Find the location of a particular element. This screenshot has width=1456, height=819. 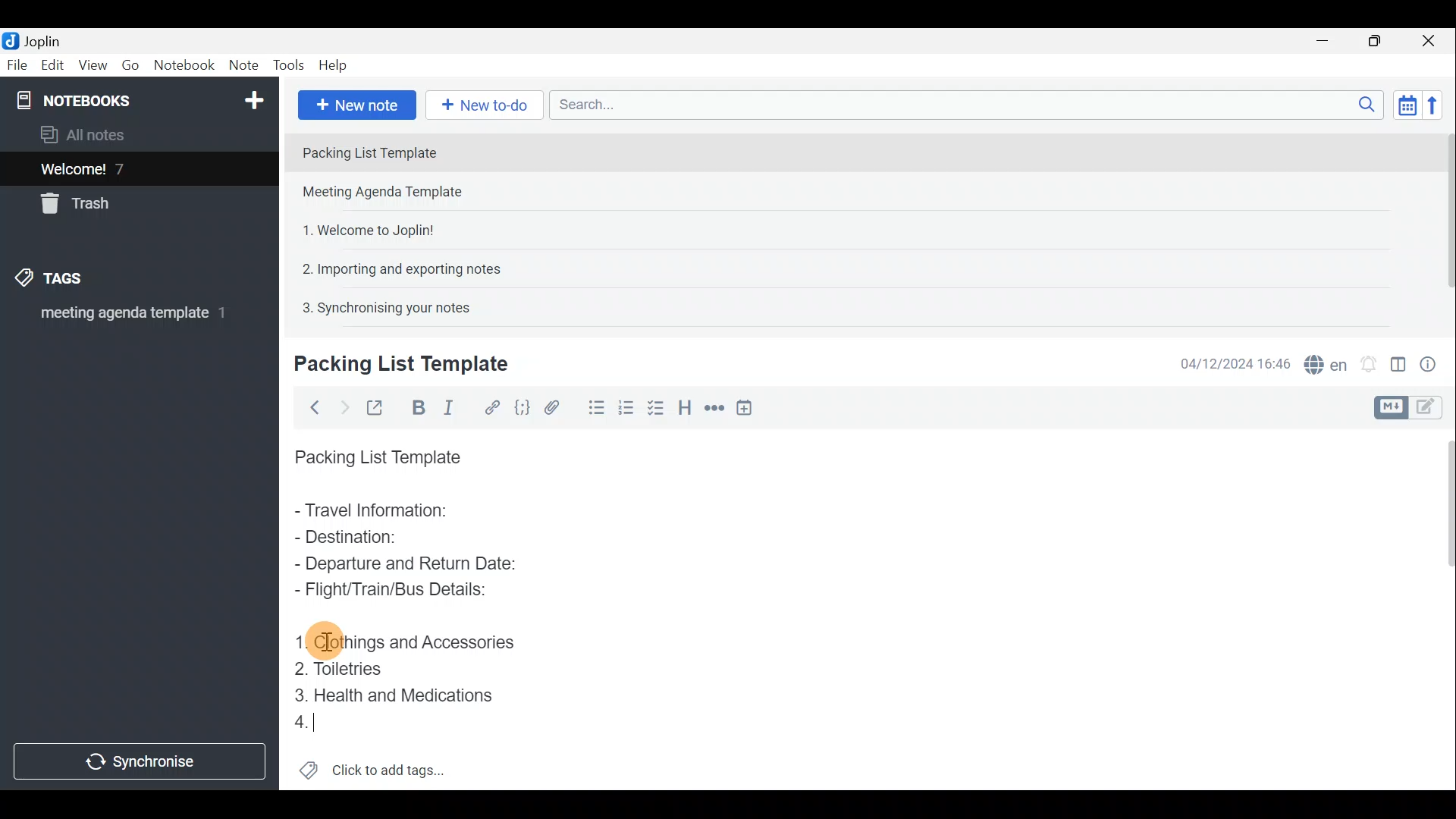

Tools is located at coordinates (290, 66).